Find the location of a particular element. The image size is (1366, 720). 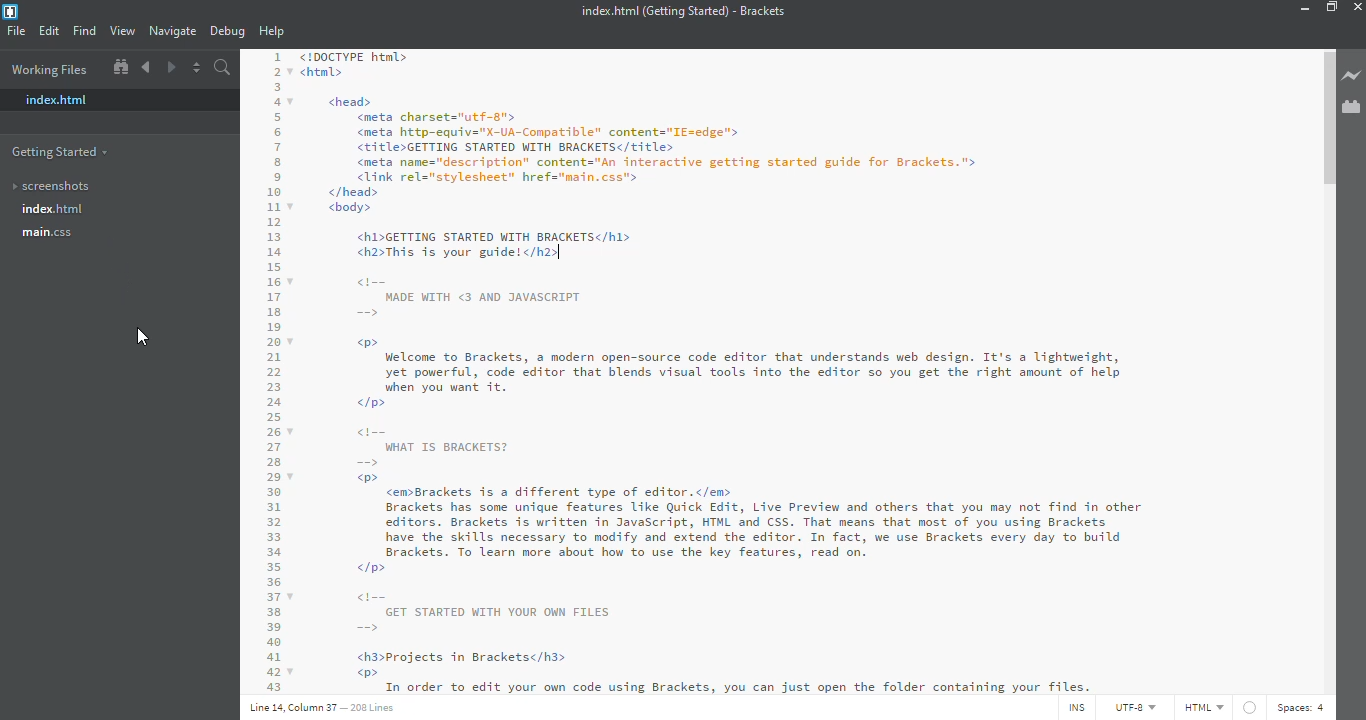

find in files is located at coordinates (221, 68).